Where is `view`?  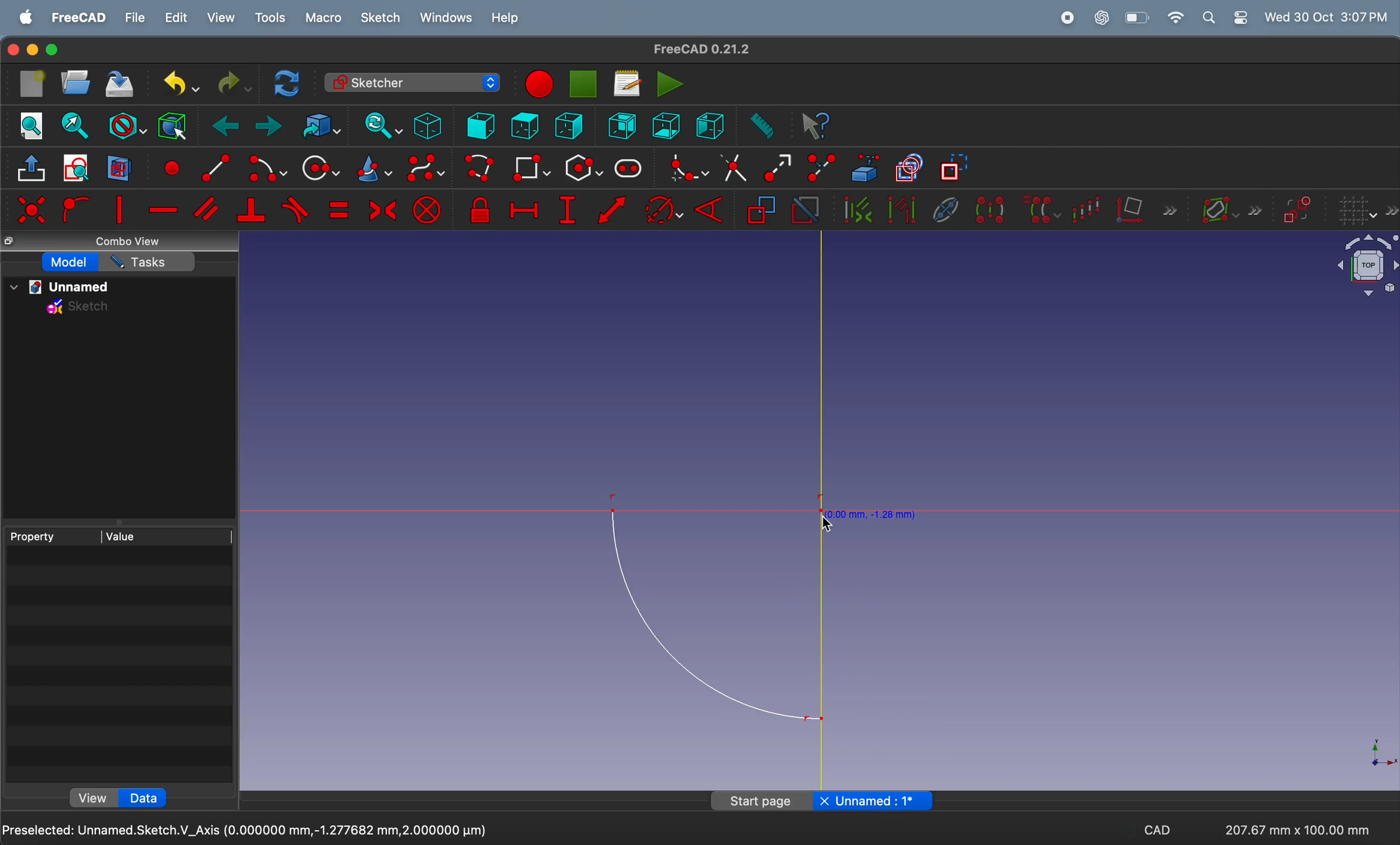
view is located at coordinates (95, 797).